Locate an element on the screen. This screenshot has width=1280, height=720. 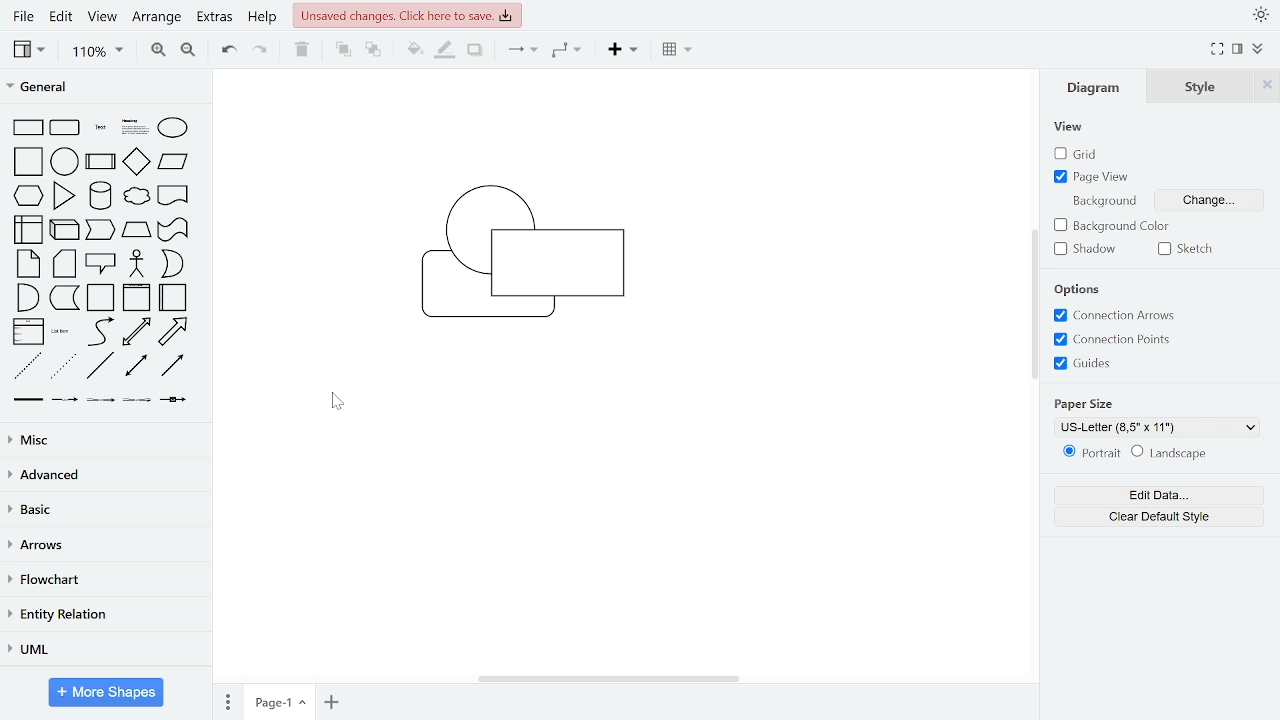
zoom is located at coordinates (99, 51).